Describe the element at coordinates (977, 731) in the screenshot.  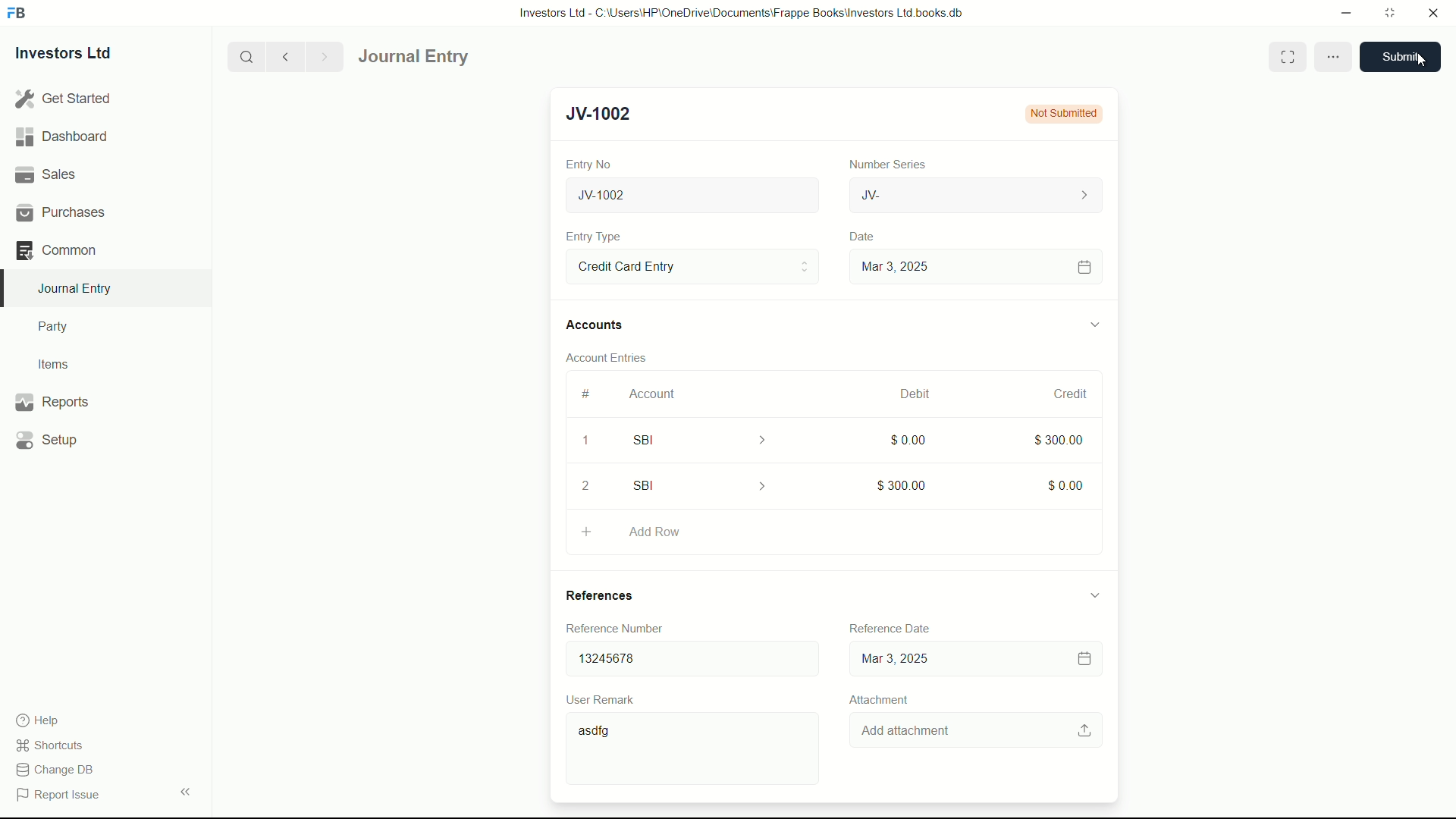
I see `Add attachment` at that location.